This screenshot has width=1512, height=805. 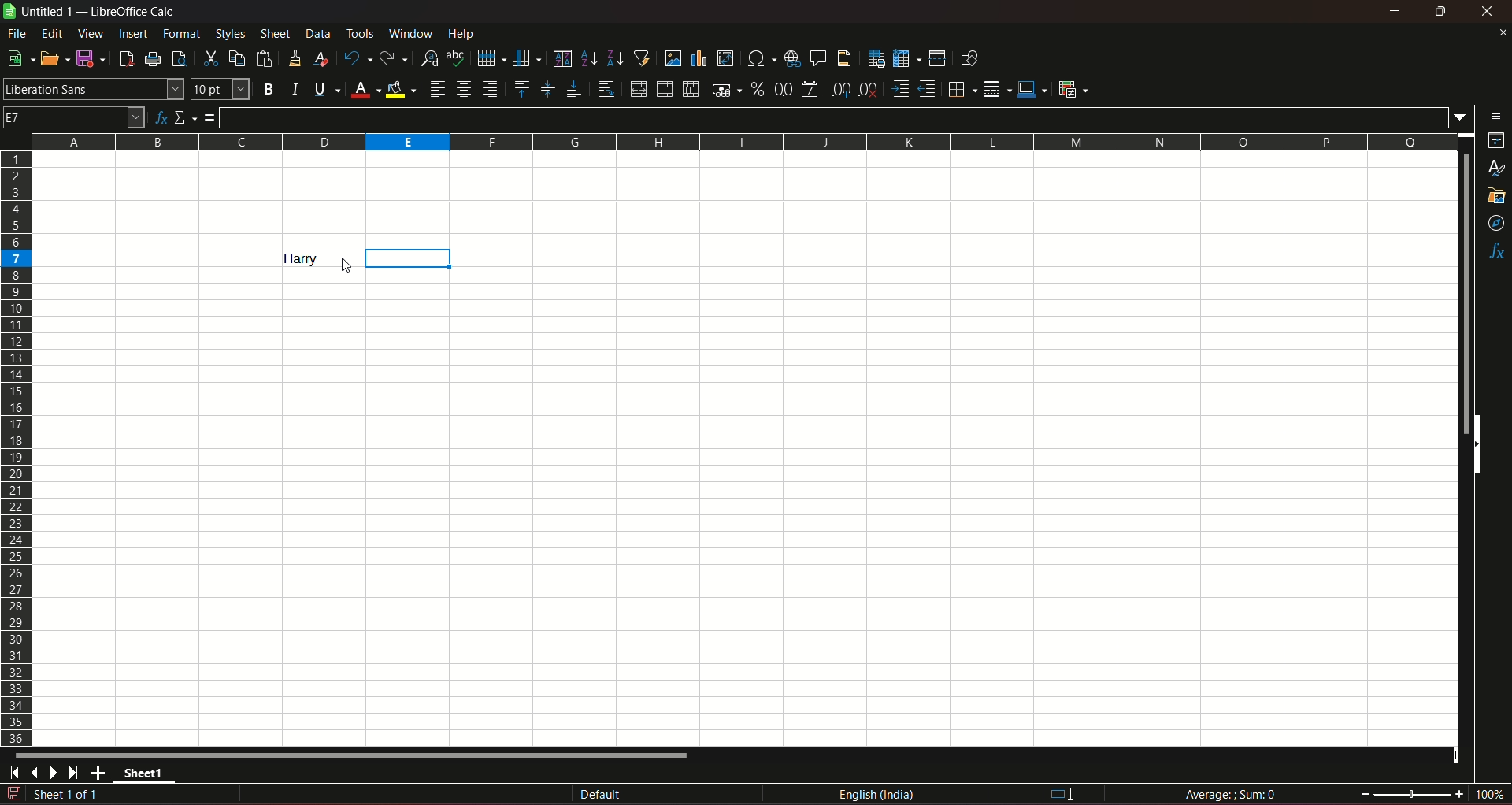 I want to click on undo, so click(x=356, y=57).